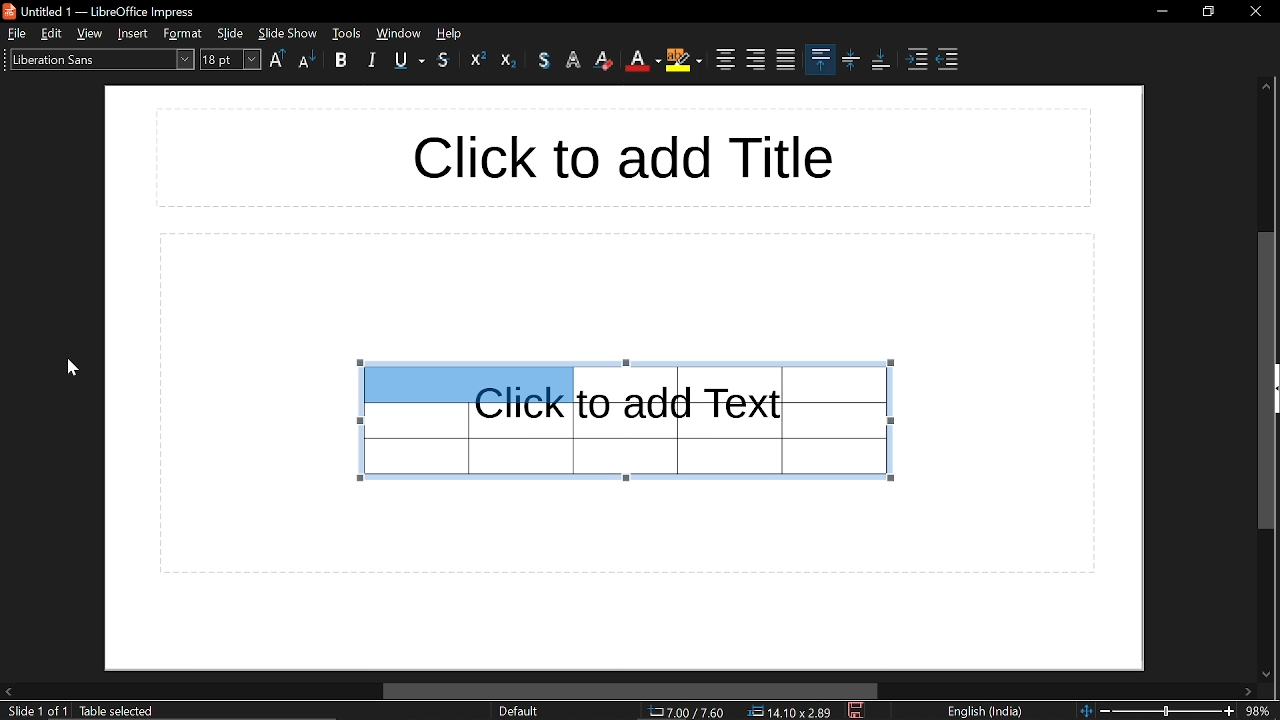 The width and height of the screenshot is (1280, 720). Describe the element at coordinates (686, 712) in the screenshot. I see `cursor co-ordinate` at that location.